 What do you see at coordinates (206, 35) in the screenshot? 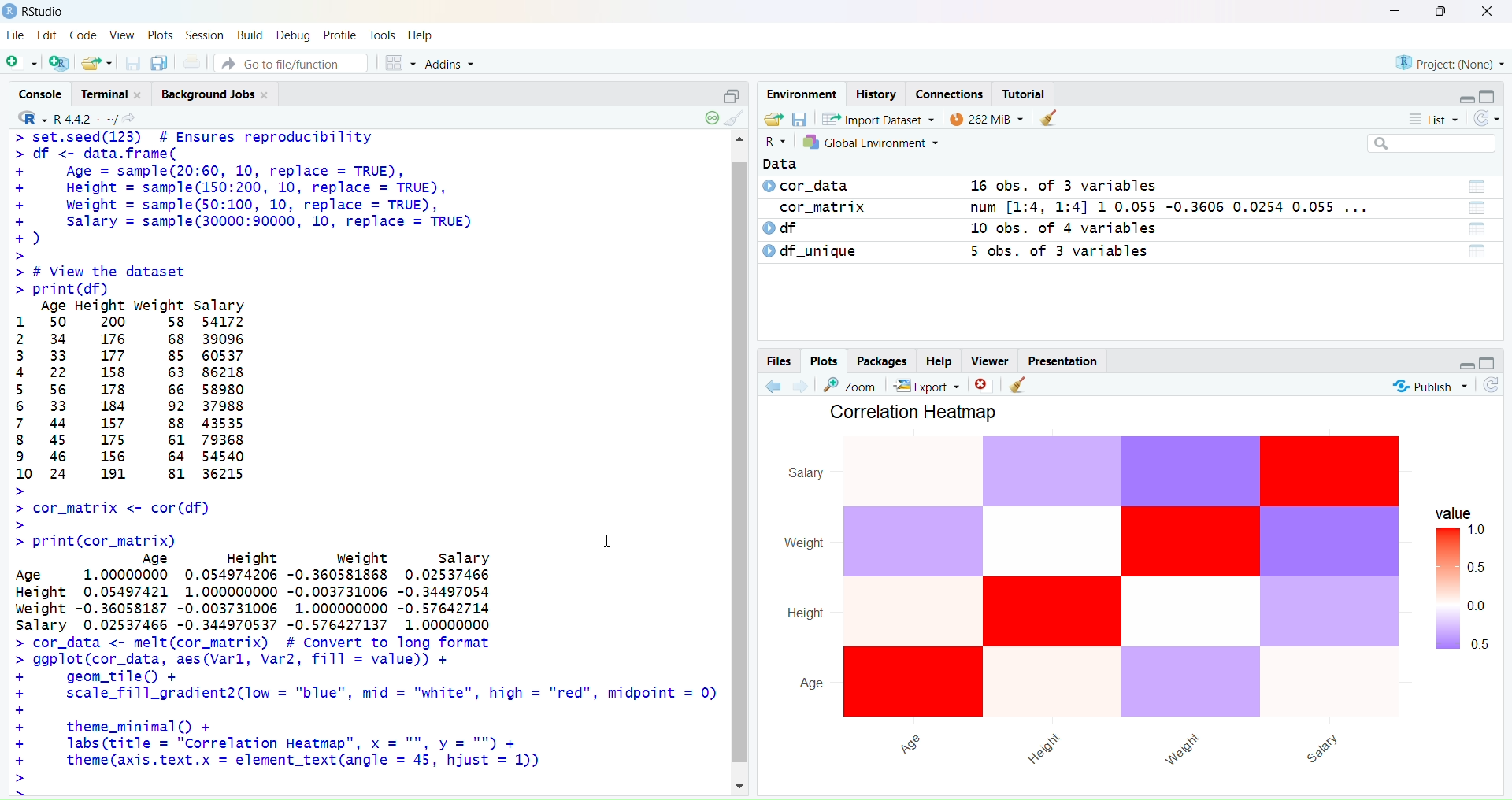
I see `Session` at bounding box center [206, 35].